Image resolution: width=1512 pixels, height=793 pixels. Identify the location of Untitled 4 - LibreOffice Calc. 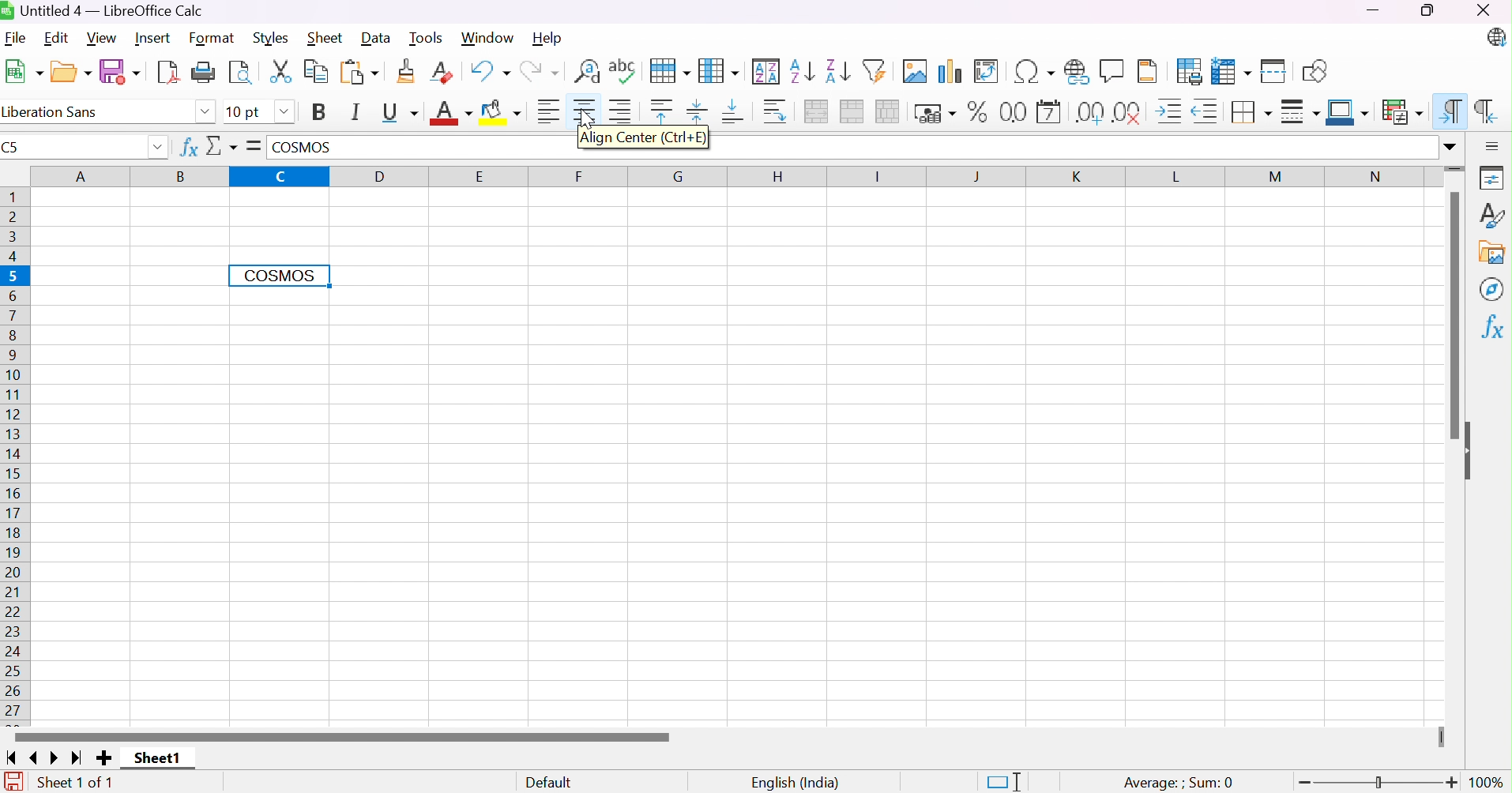
(107, 10).